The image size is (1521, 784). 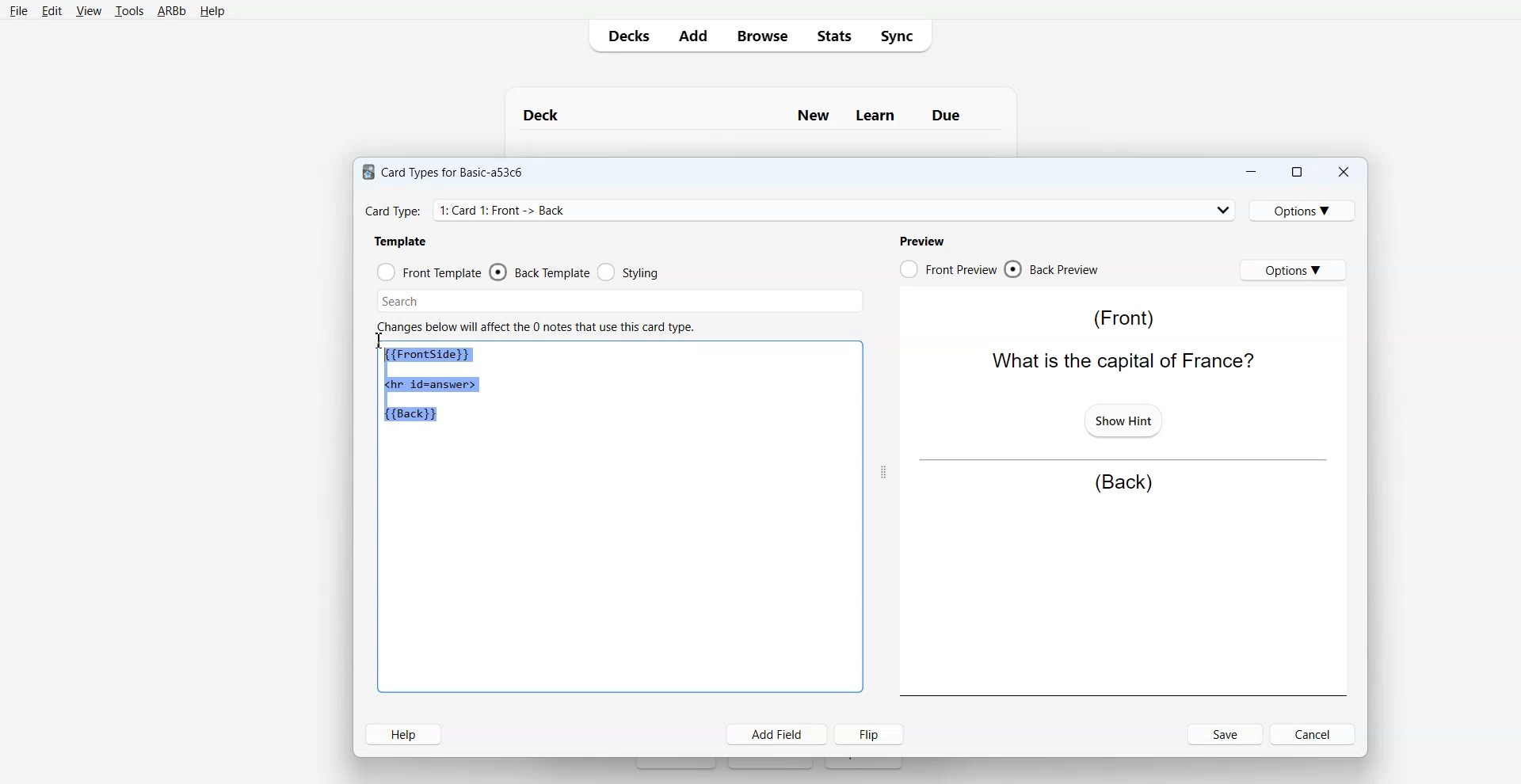 I want to click on Template, so click(x=402, y=241).